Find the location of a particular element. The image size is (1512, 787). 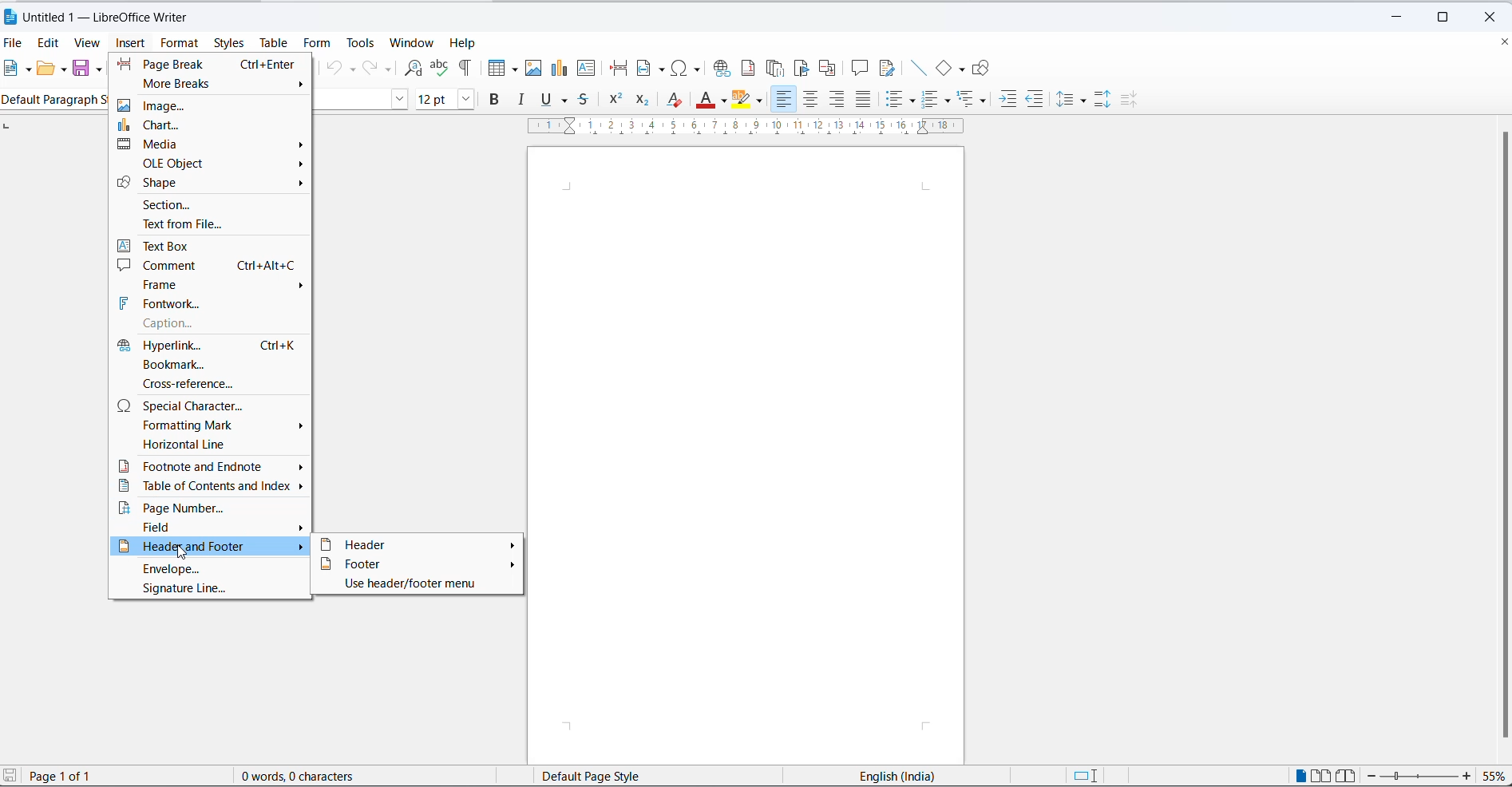

horizontal line is located at coordinates (212, 444).